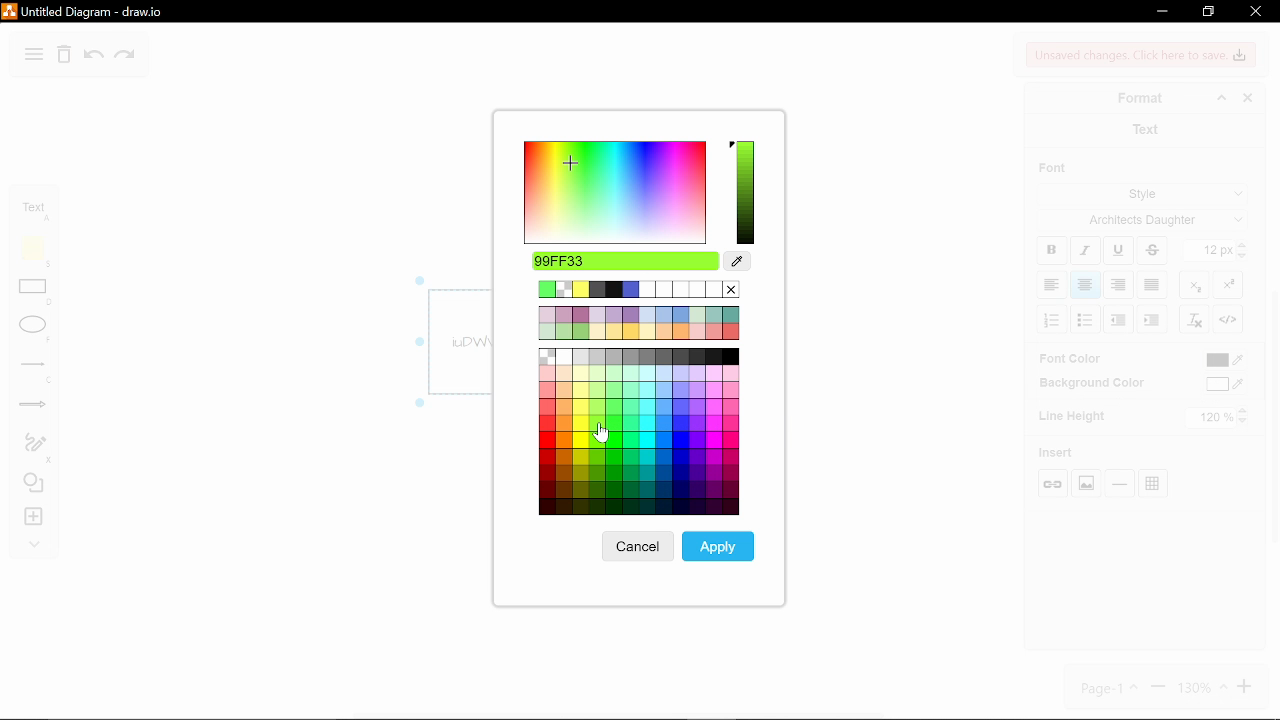 This screenshot has height=720, width=1280. What do you see at coordinates (1152, 250) in the screenshot?
I see `strikethrough` at bounding box center [1152, 250].